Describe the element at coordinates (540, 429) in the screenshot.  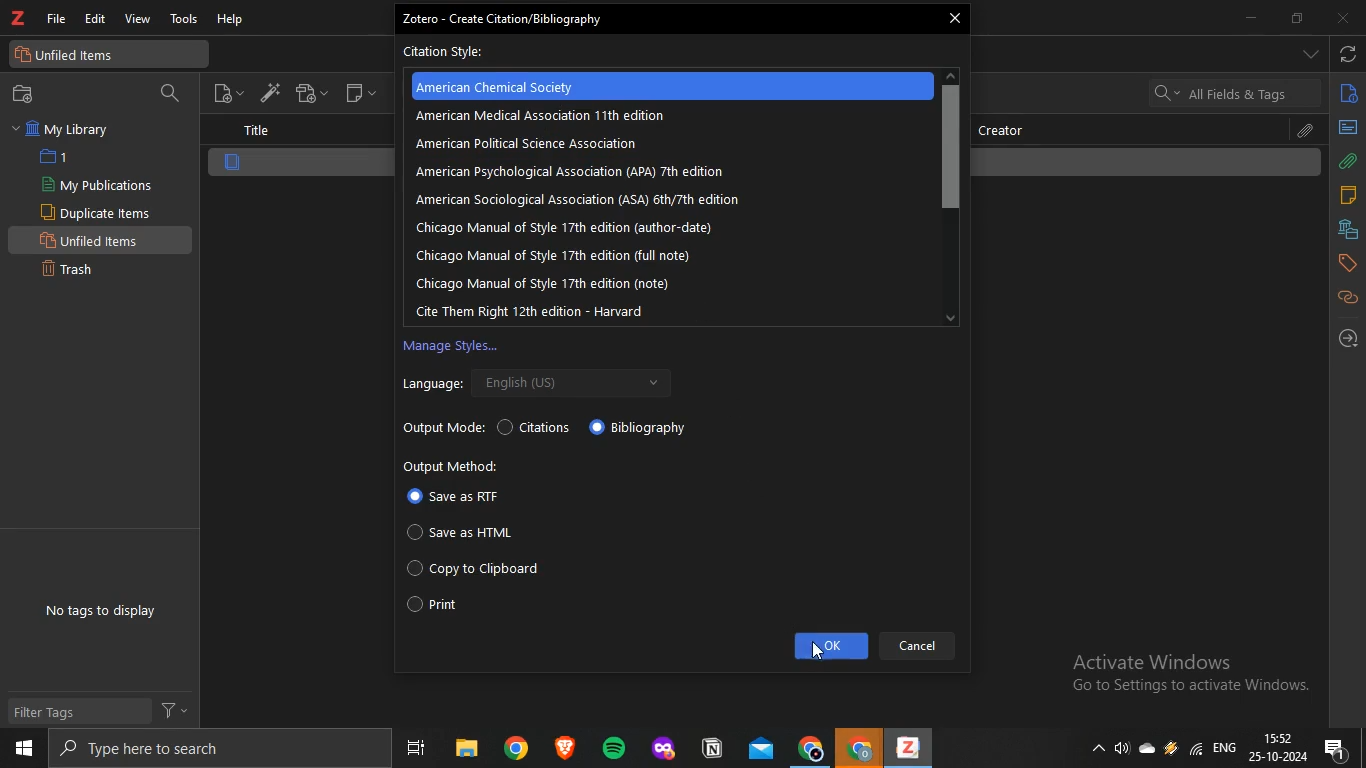
I see `Citations` at that location.